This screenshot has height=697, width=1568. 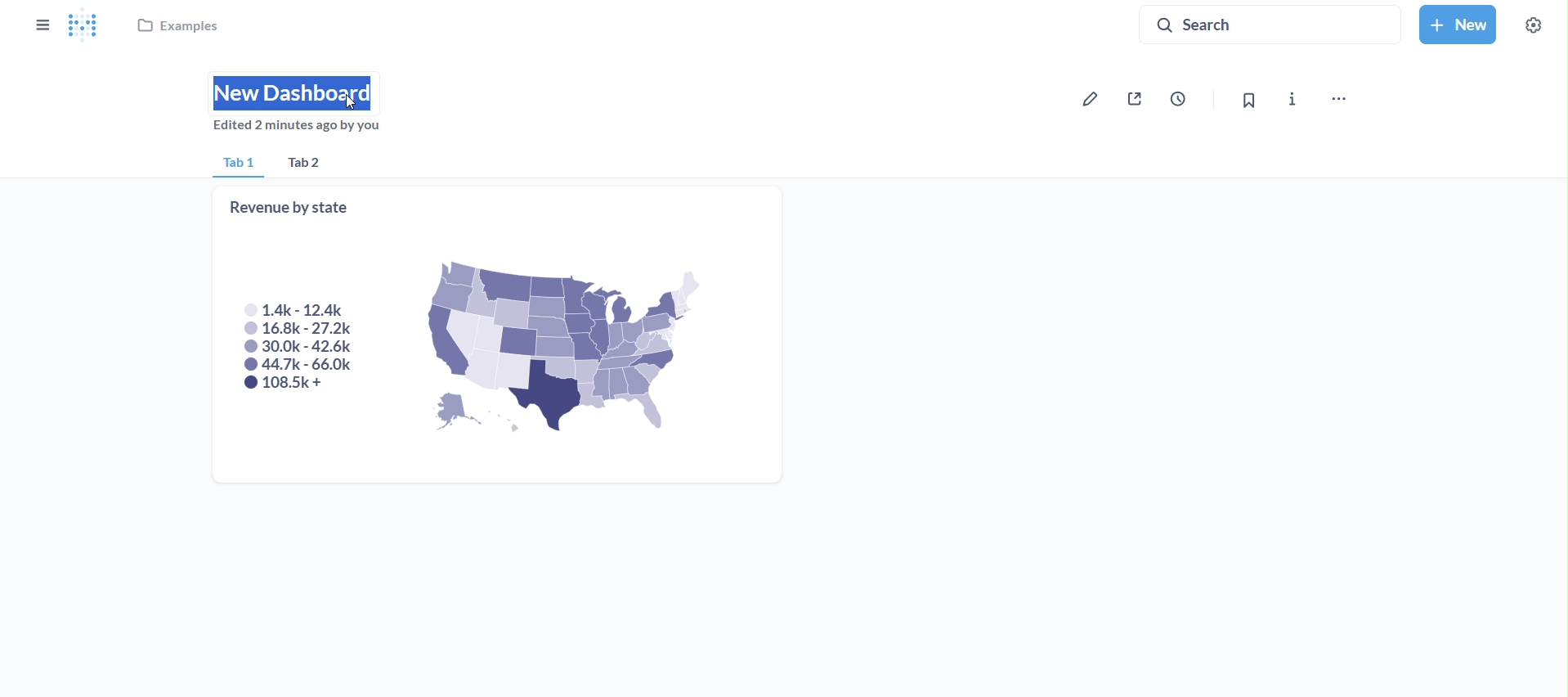 What do you see at coordinates (1244, 100) in the screenshot?
I see `bookmark` at bounding box center [1244, 100].